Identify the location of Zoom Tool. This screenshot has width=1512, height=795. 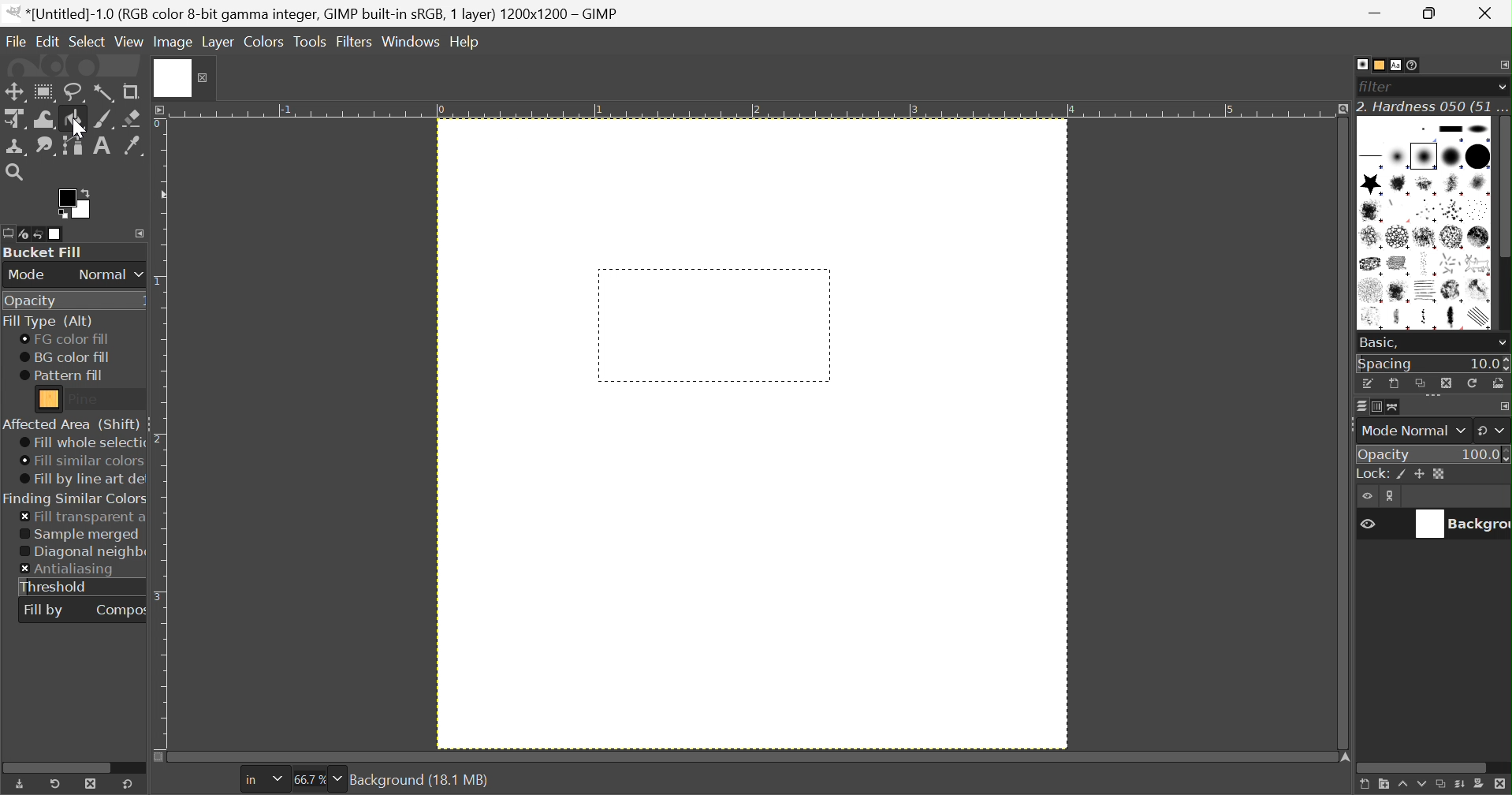
(13, 172).